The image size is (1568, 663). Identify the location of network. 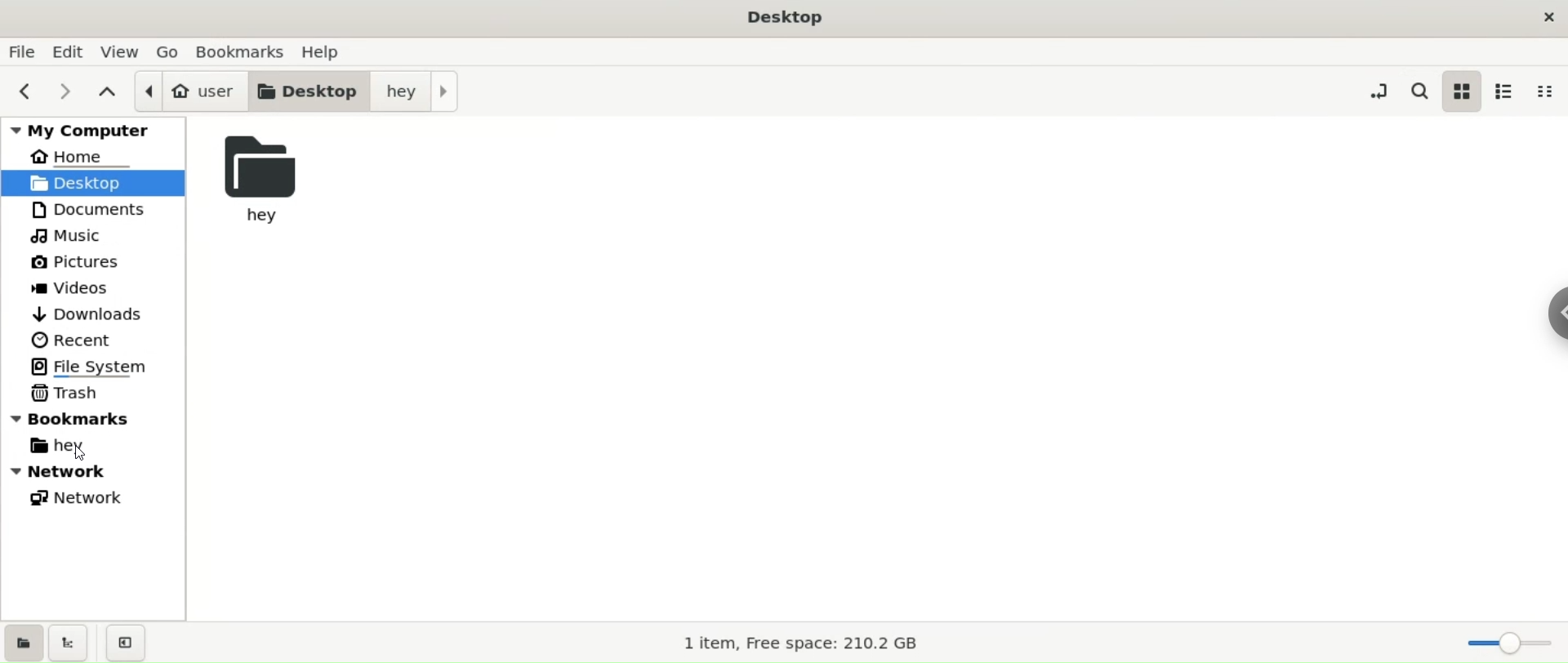
(105, 471).